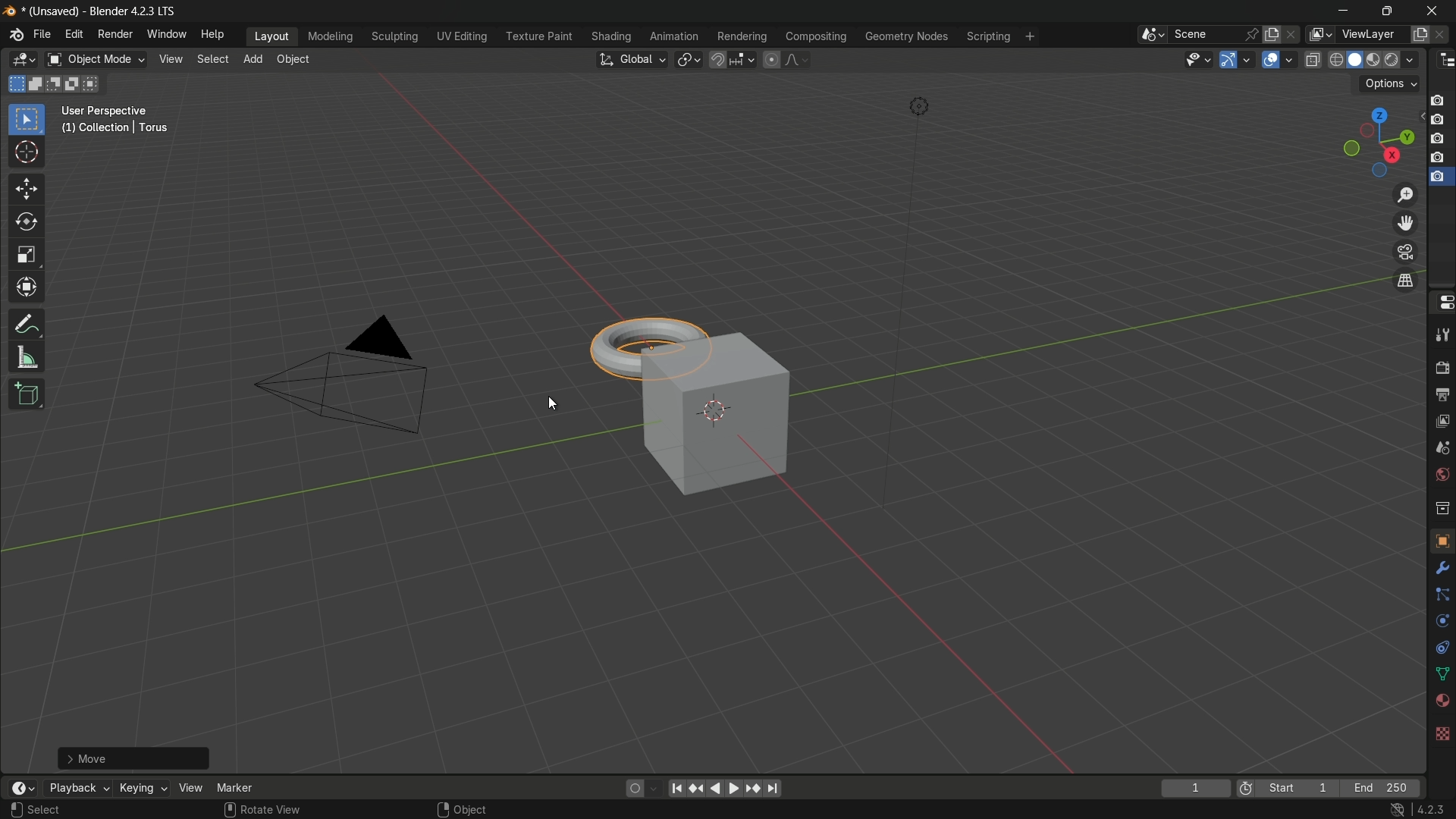  What do you see at coordinates (37, 83) in the screenshot?
I see `extend existing selection` at bounding box center [37, 83].